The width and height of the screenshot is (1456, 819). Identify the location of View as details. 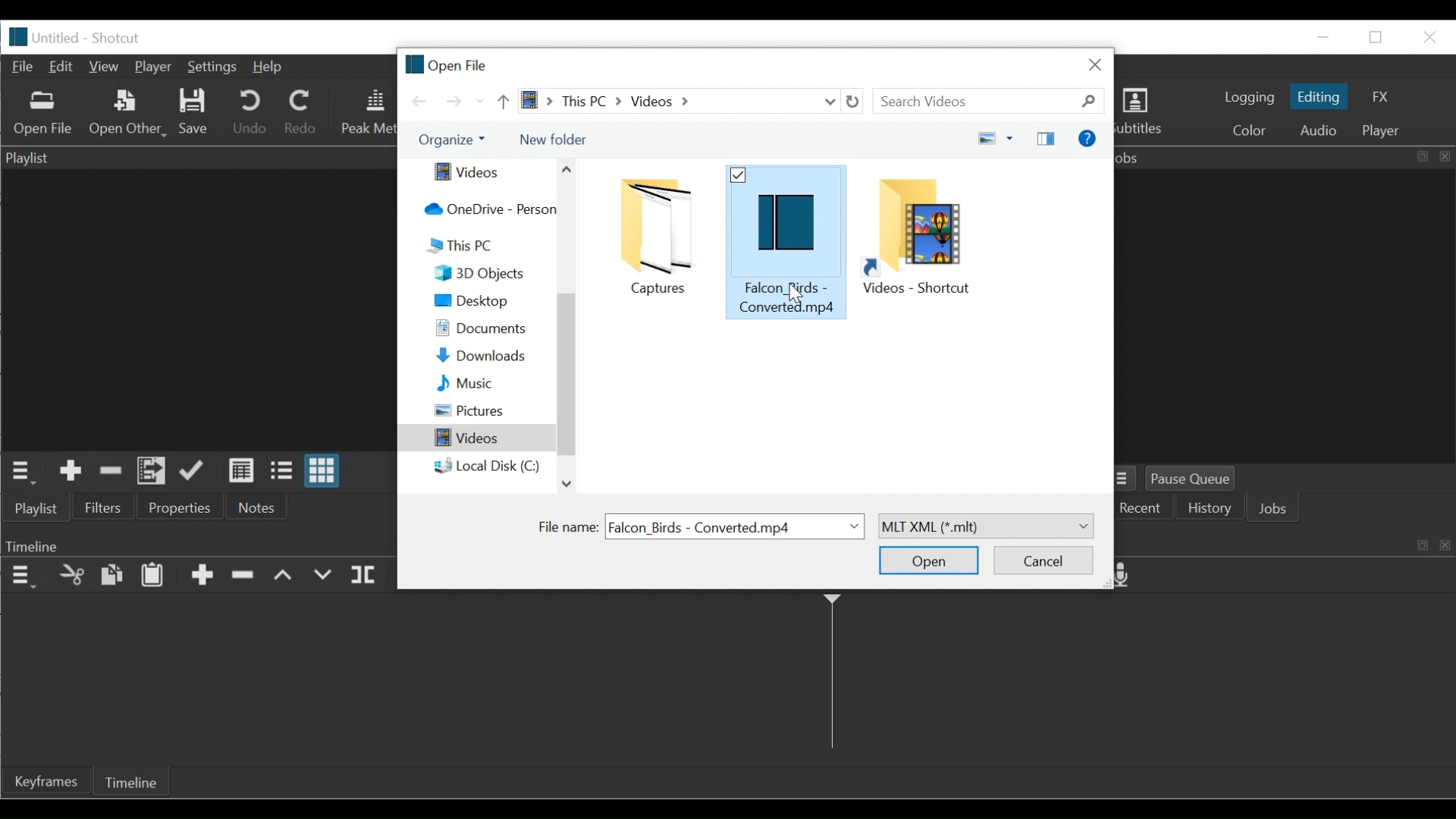
(243, 472).